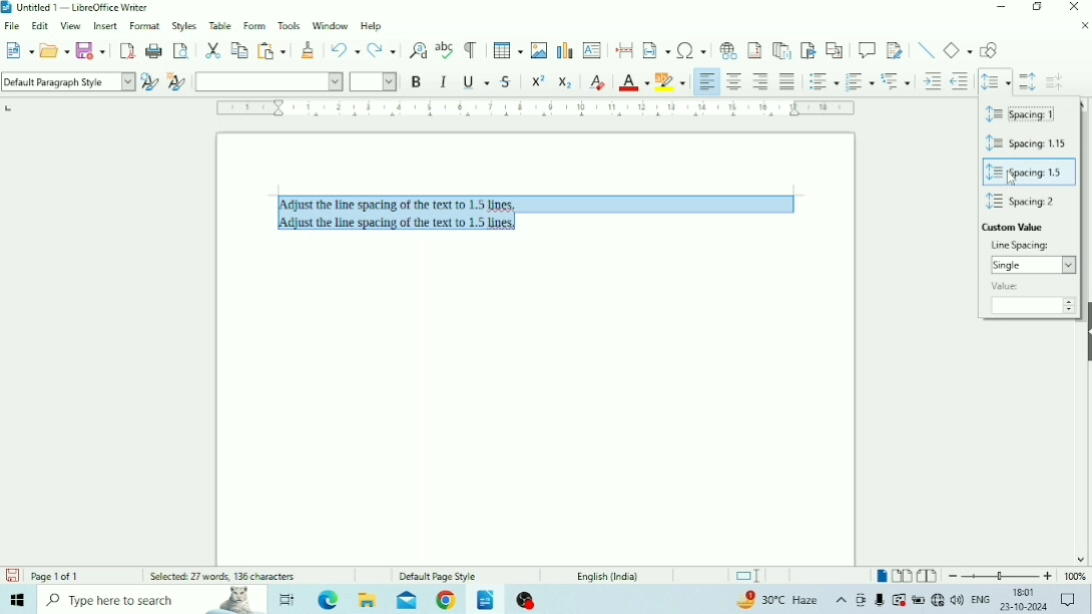 This screenshot has width=1092, height=614. What do you see at coordinates (918, 599) in the screenshot?
I see `Charging, plugged in` at bounding box center [918, 599].